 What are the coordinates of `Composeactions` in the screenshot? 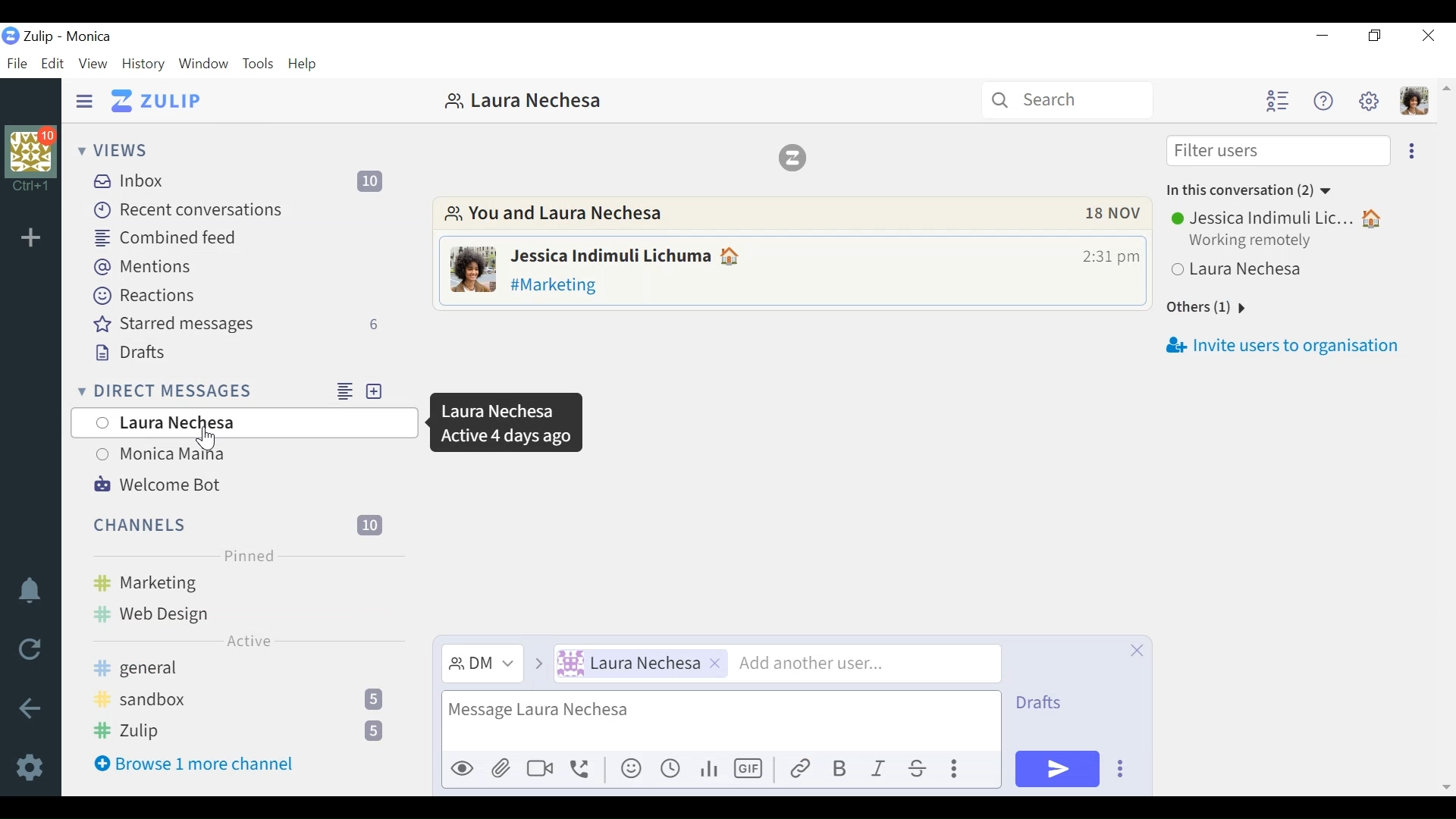 It's located at (957, 767).